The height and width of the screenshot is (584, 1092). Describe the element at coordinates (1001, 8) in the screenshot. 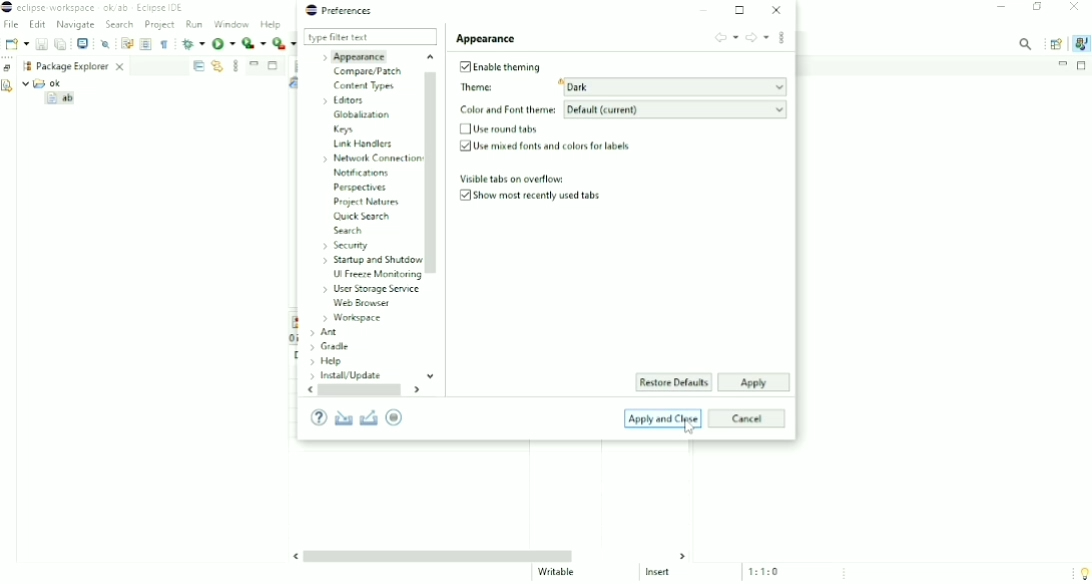

I see `Minimize` at that location.